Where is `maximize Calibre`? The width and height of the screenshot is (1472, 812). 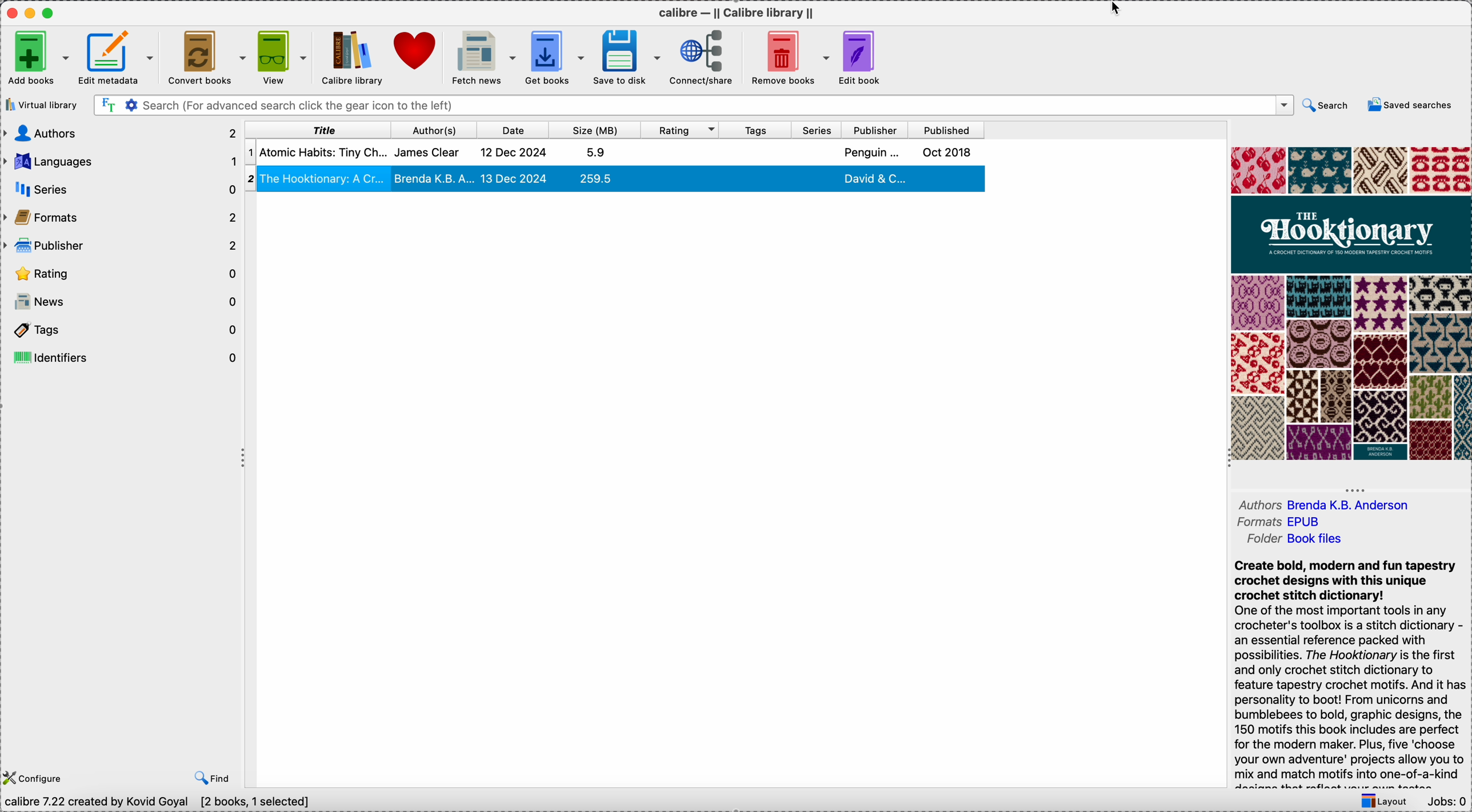 maximize Calibre is located at coordinates (50, 11).